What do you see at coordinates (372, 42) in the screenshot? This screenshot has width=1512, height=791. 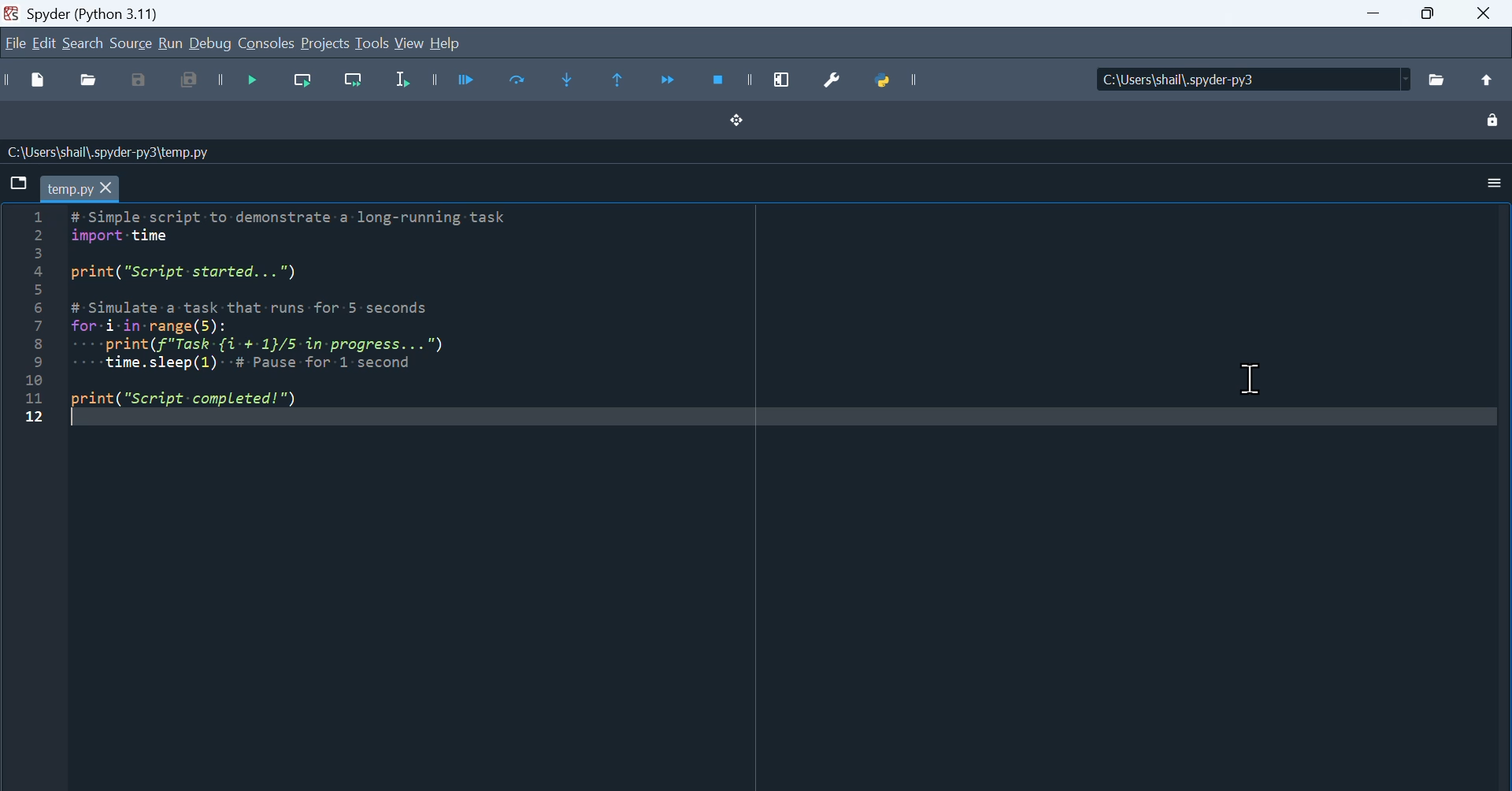 I see `tools` at bounding box center [372, 42].